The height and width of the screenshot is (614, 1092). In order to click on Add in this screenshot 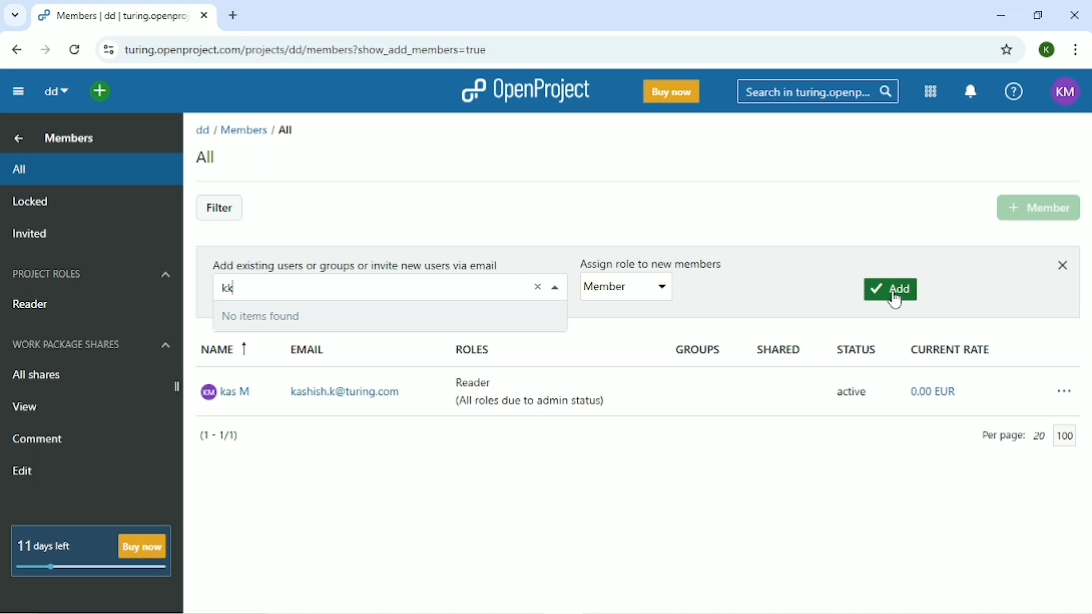, I will do `click(891, 291)`.